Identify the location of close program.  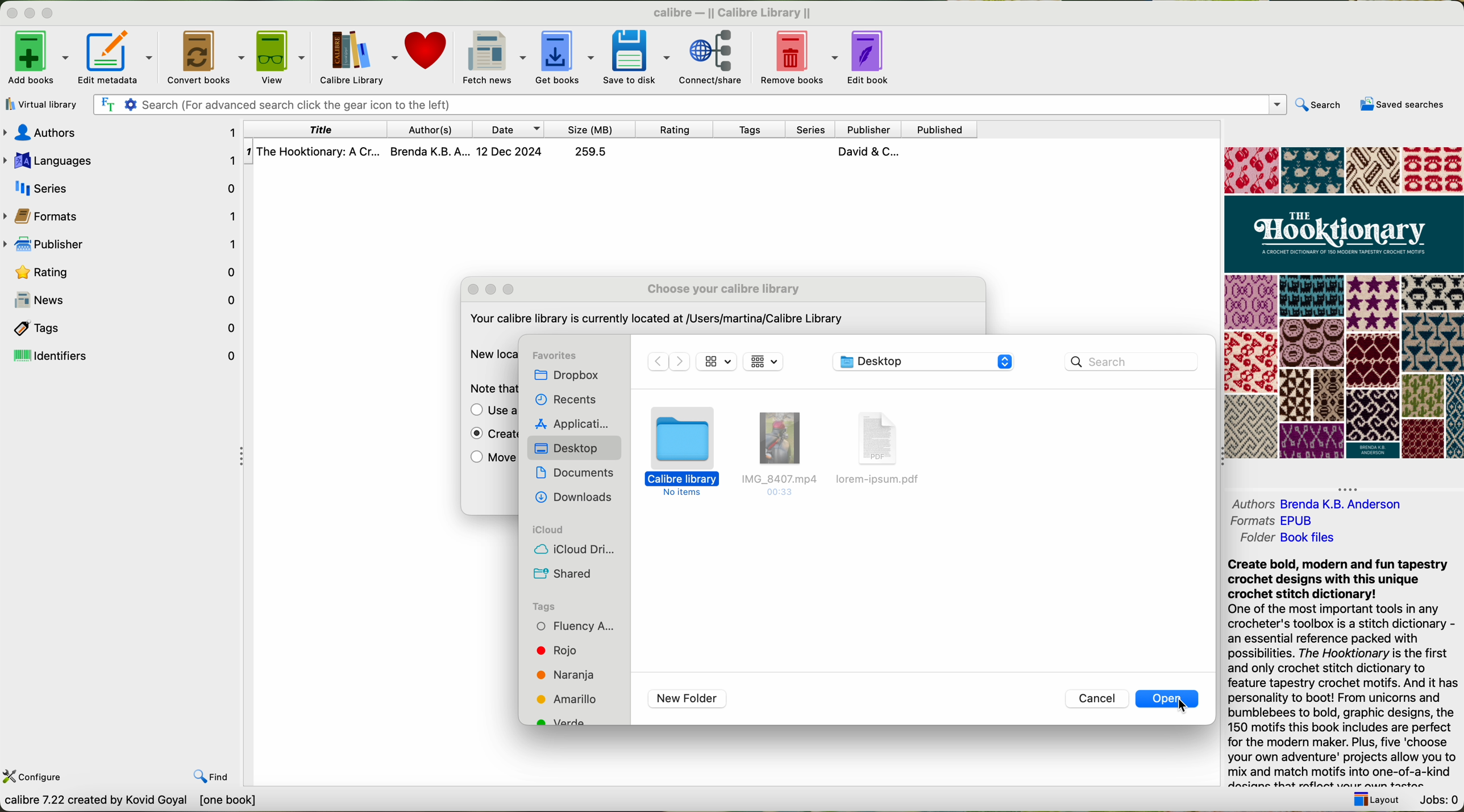
(11, 13).